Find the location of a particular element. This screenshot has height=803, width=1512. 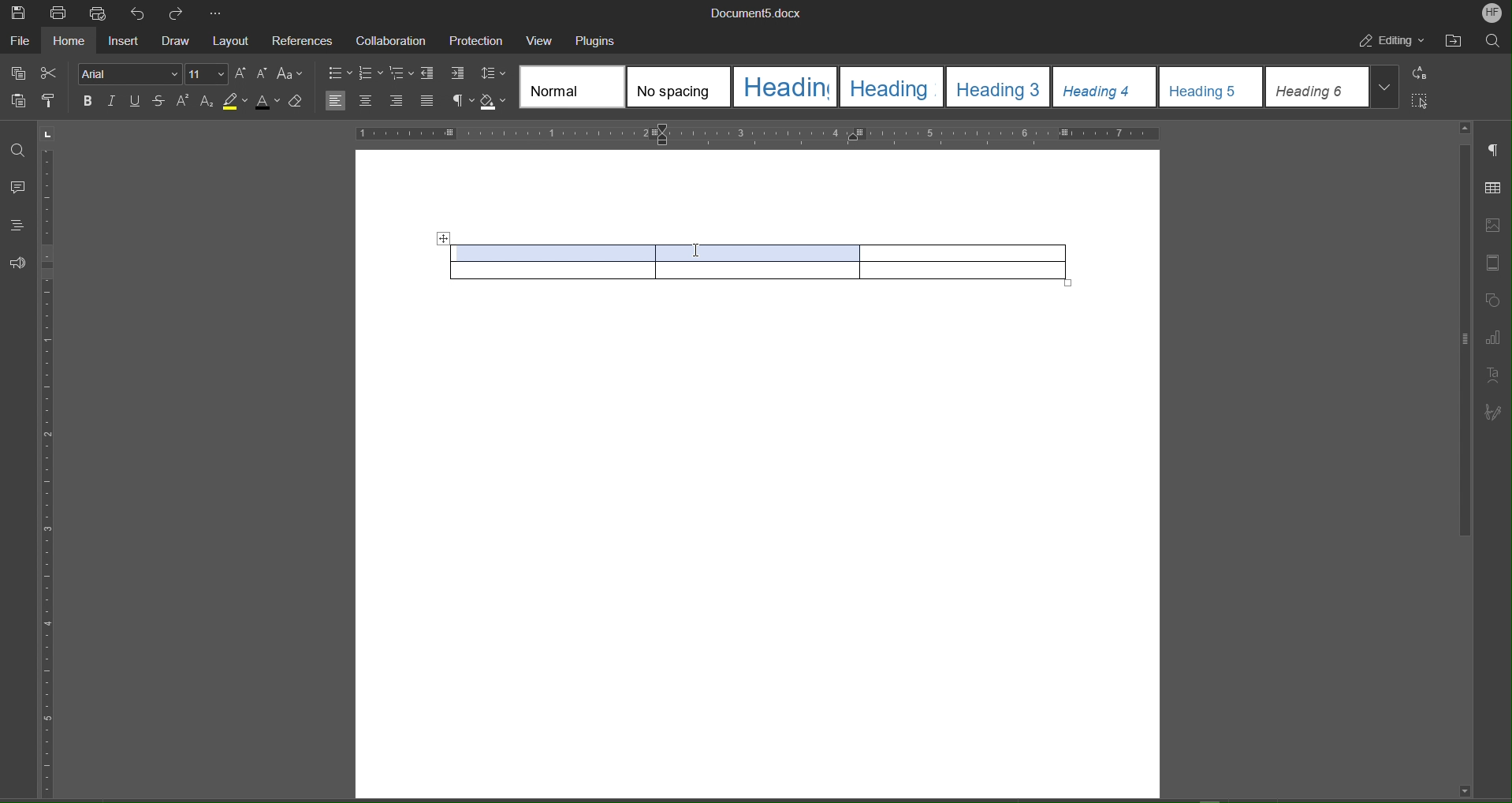

Editing is located at coordinates (1393, 43).